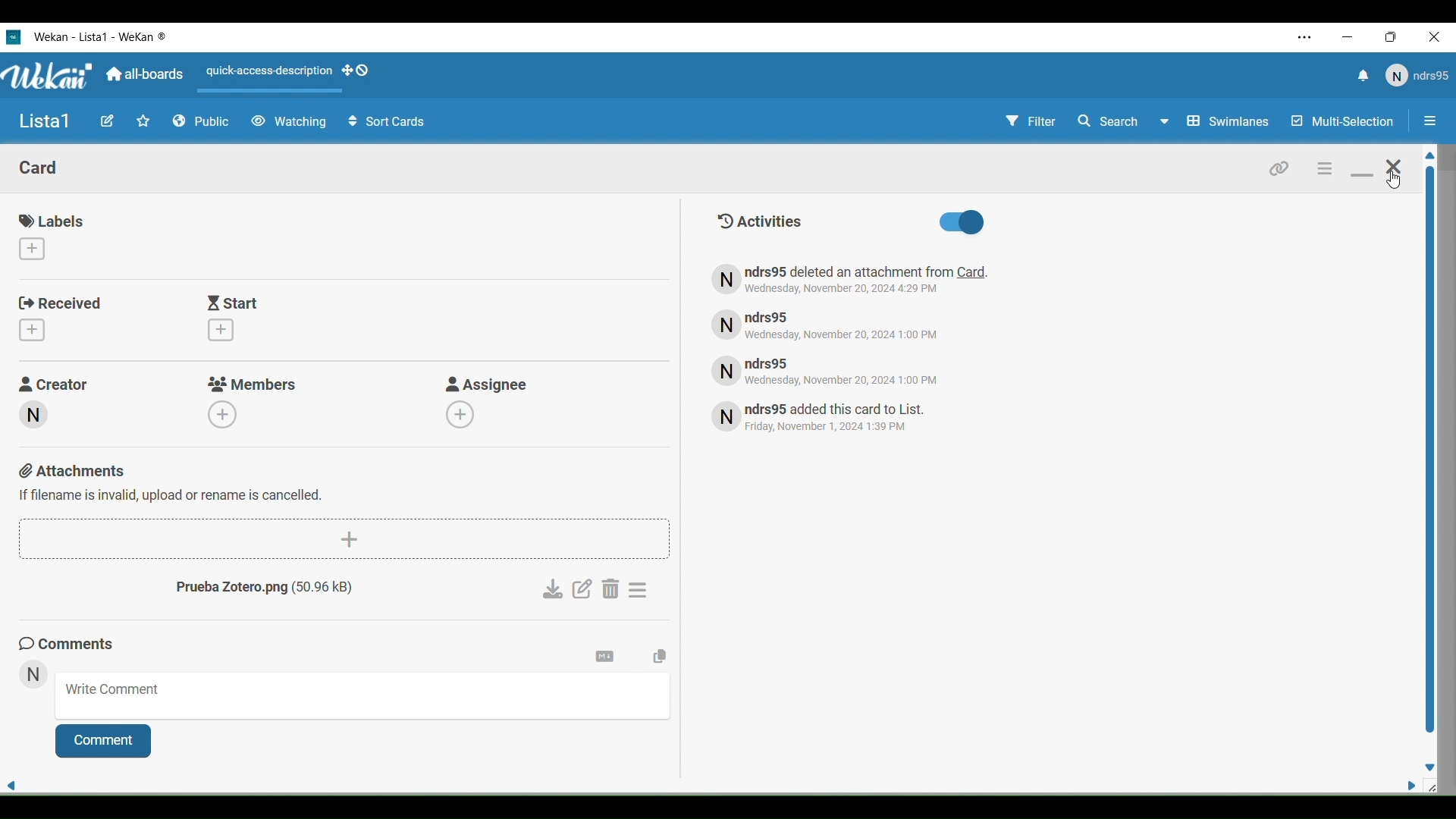  What do you see at coordinates (840, 370) in the screenshot?
I see `Text` at bounding box center [840, 370].